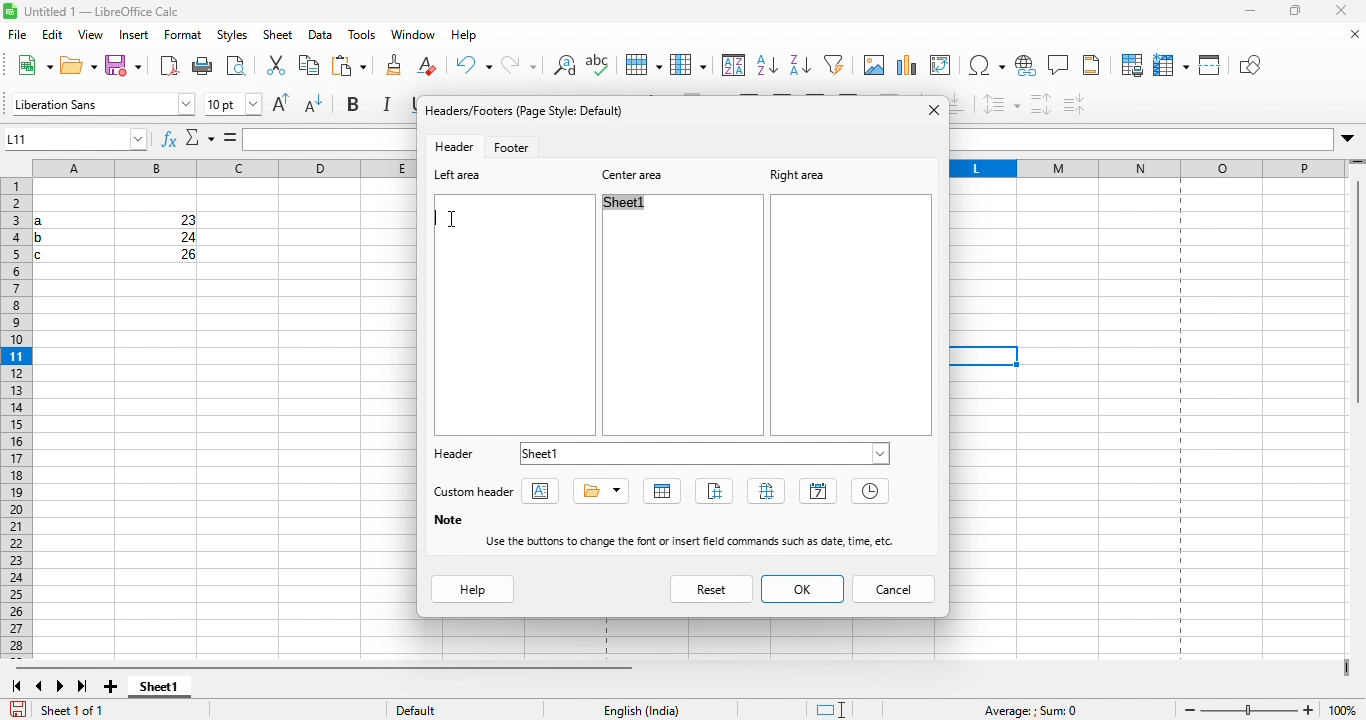 The height and width of the screenshot is (720, 1366). What do you see at coordinates (1040, 104) in the screenshot?
I see `increase paragraph spacing` at bounding box center [1040, 104].